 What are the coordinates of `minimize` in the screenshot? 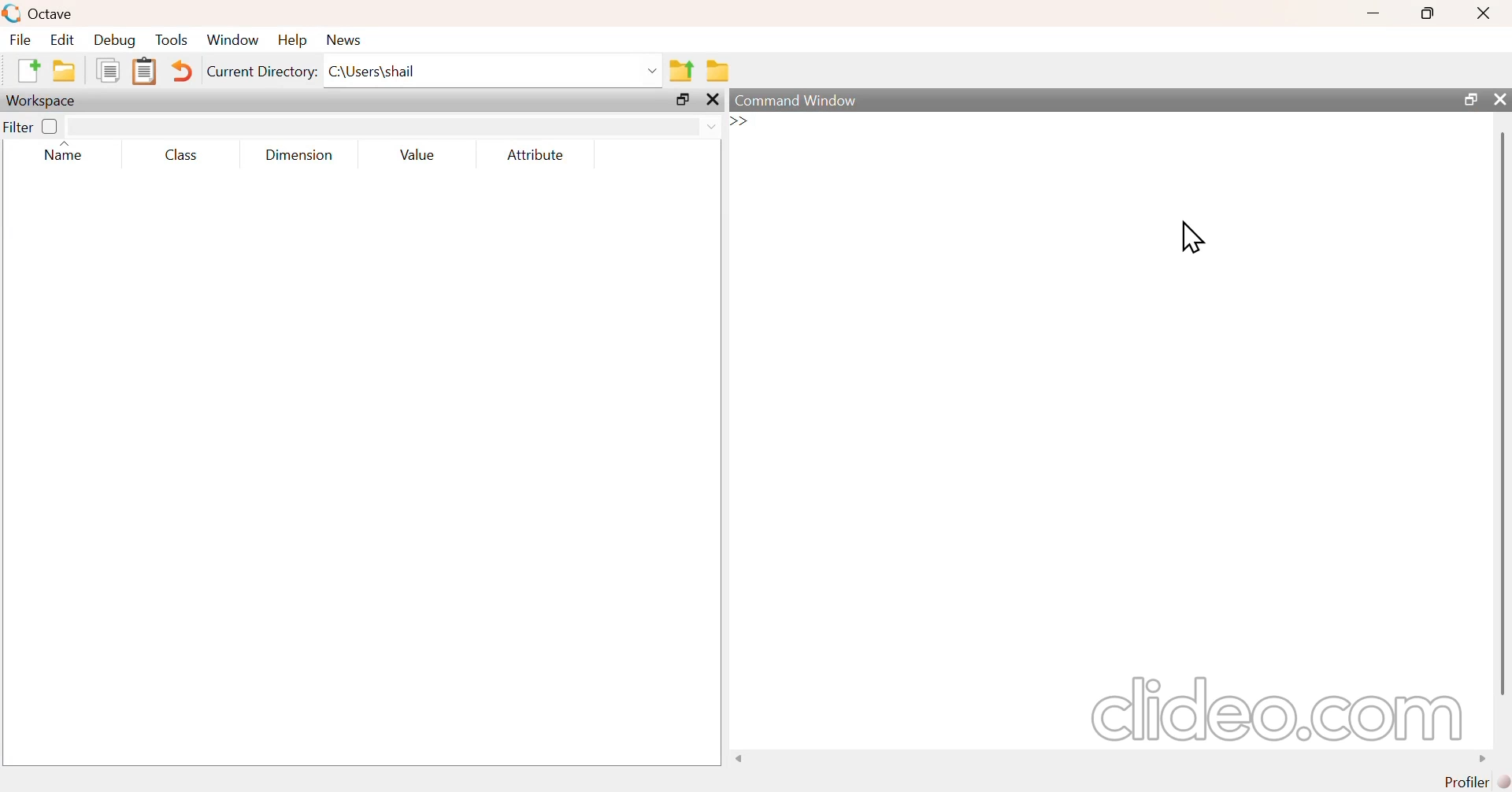 It's located at (1373, 13).